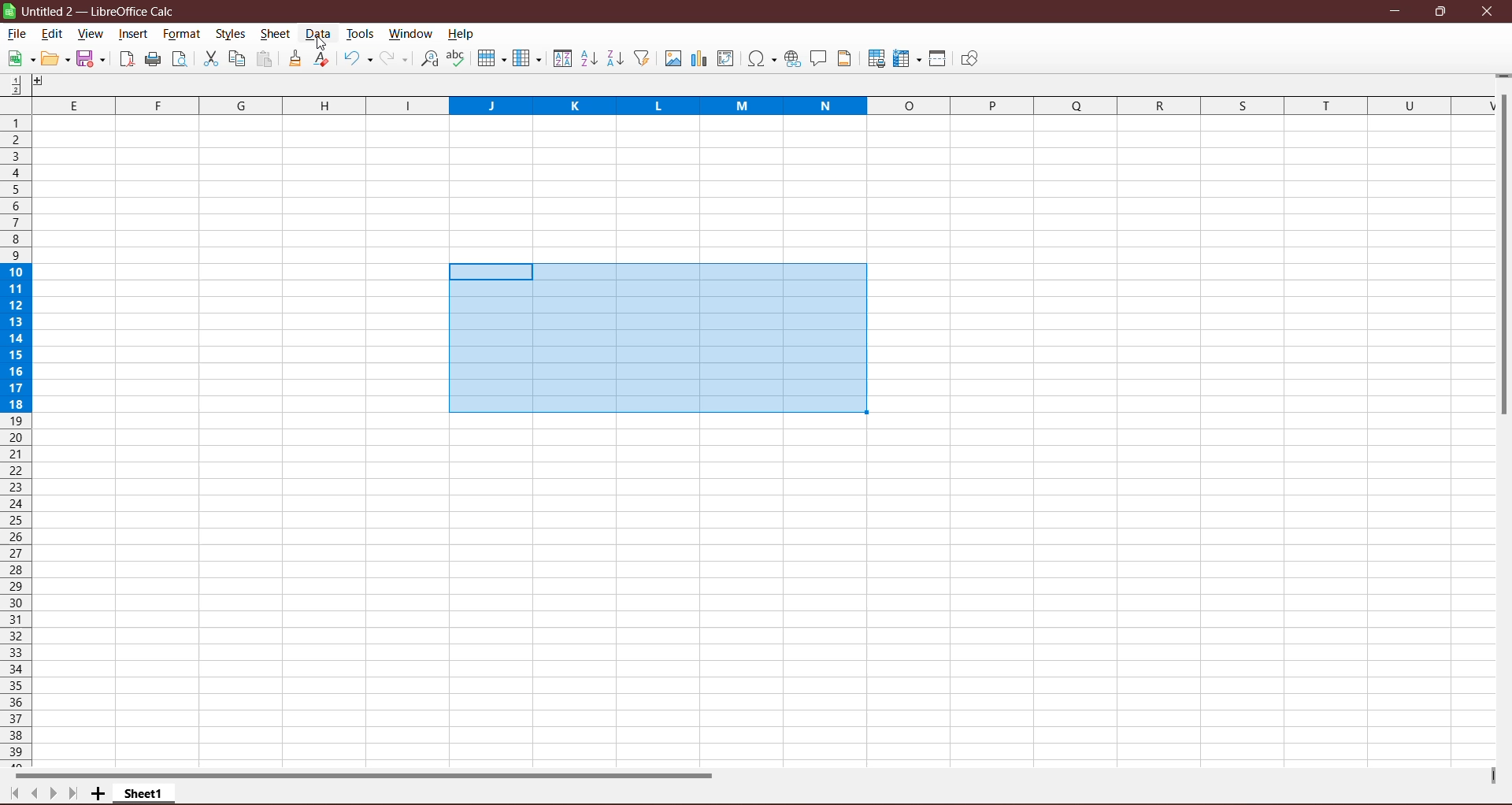 The image size is (1512, 805). What do you see at coordinates (361, 33) in the screenshot?
I see `Tools` at bounding box center [361, 33].